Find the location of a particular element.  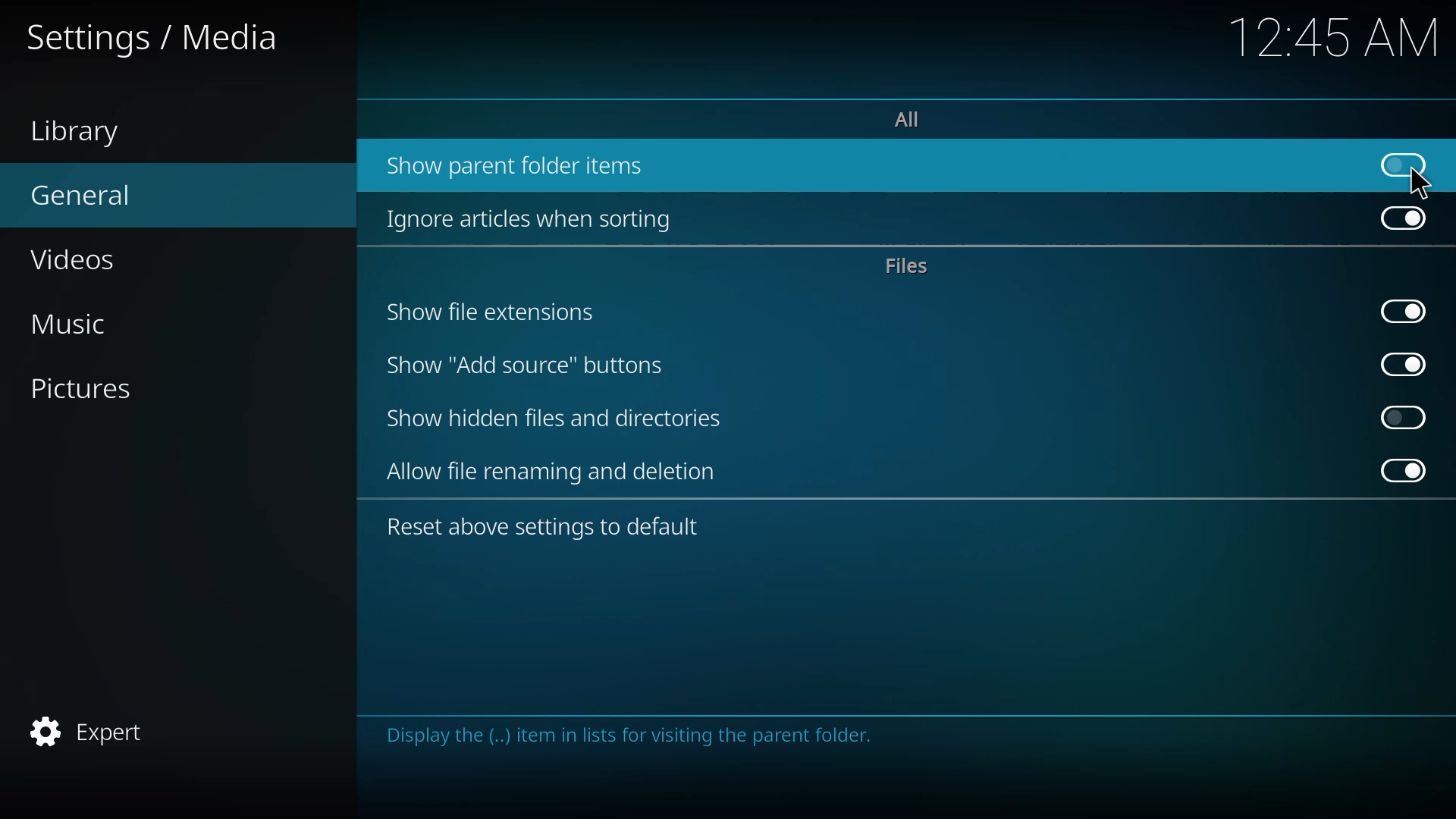

music is located at coordinates (86, 320).